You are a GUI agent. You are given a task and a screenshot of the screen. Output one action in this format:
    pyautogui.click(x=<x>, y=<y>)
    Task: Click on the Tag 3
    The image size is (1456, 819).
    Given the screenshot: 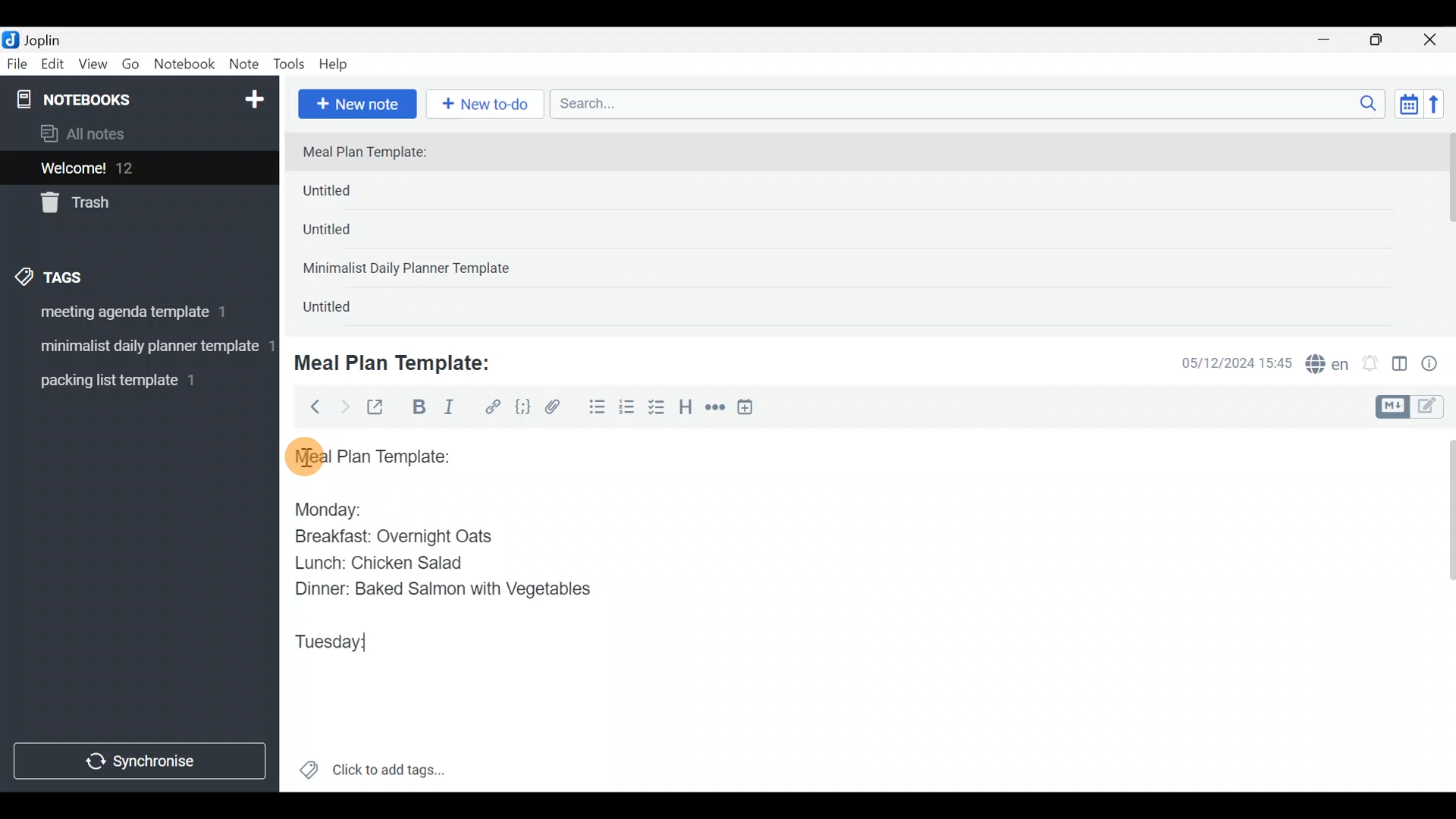 What is the action you would take?
    pyautogui.click(x=134, y=380)
    